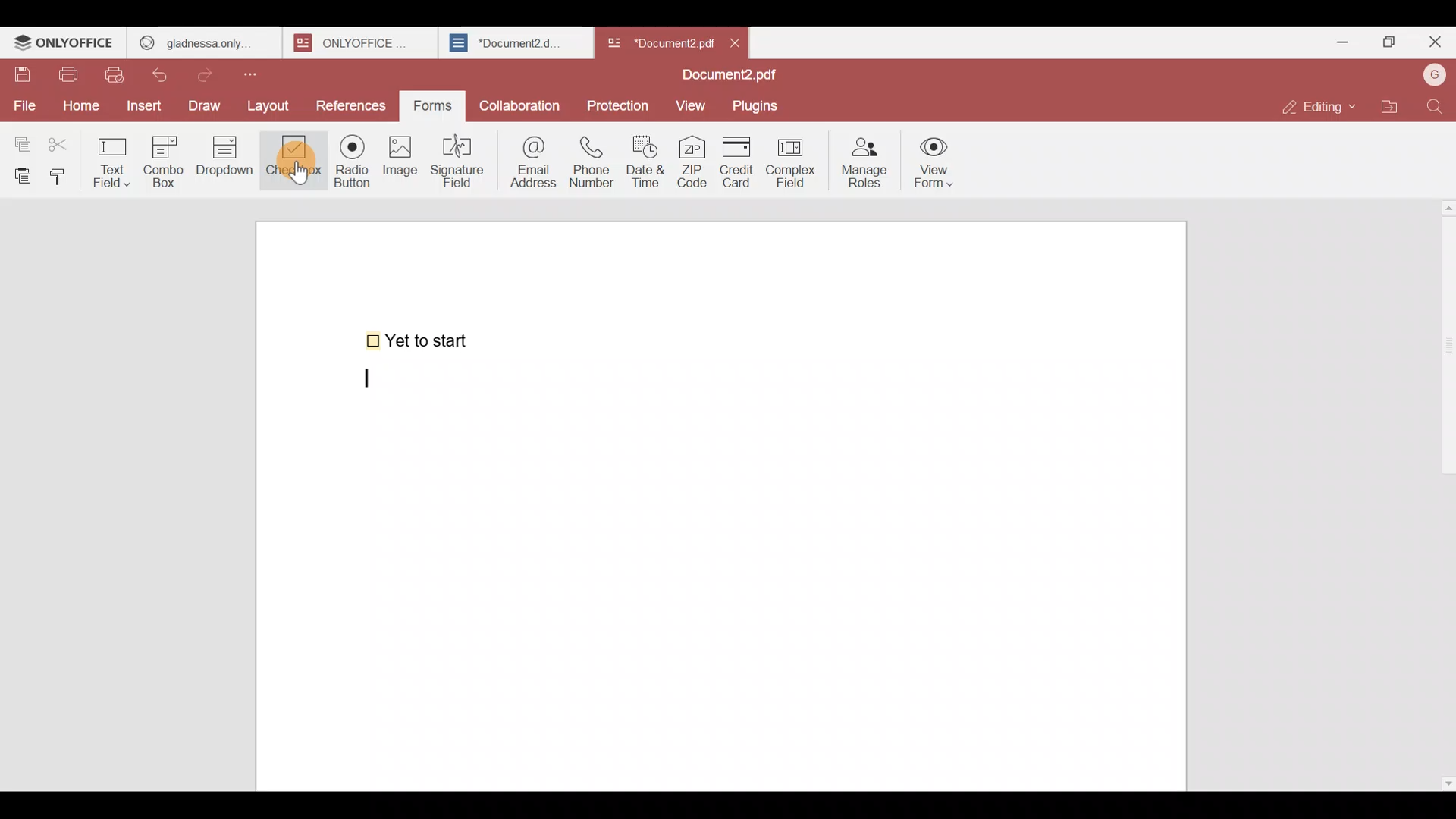 This screenshot has width=1456, height=819. I want to click on Dropdown, so click(227, 162).